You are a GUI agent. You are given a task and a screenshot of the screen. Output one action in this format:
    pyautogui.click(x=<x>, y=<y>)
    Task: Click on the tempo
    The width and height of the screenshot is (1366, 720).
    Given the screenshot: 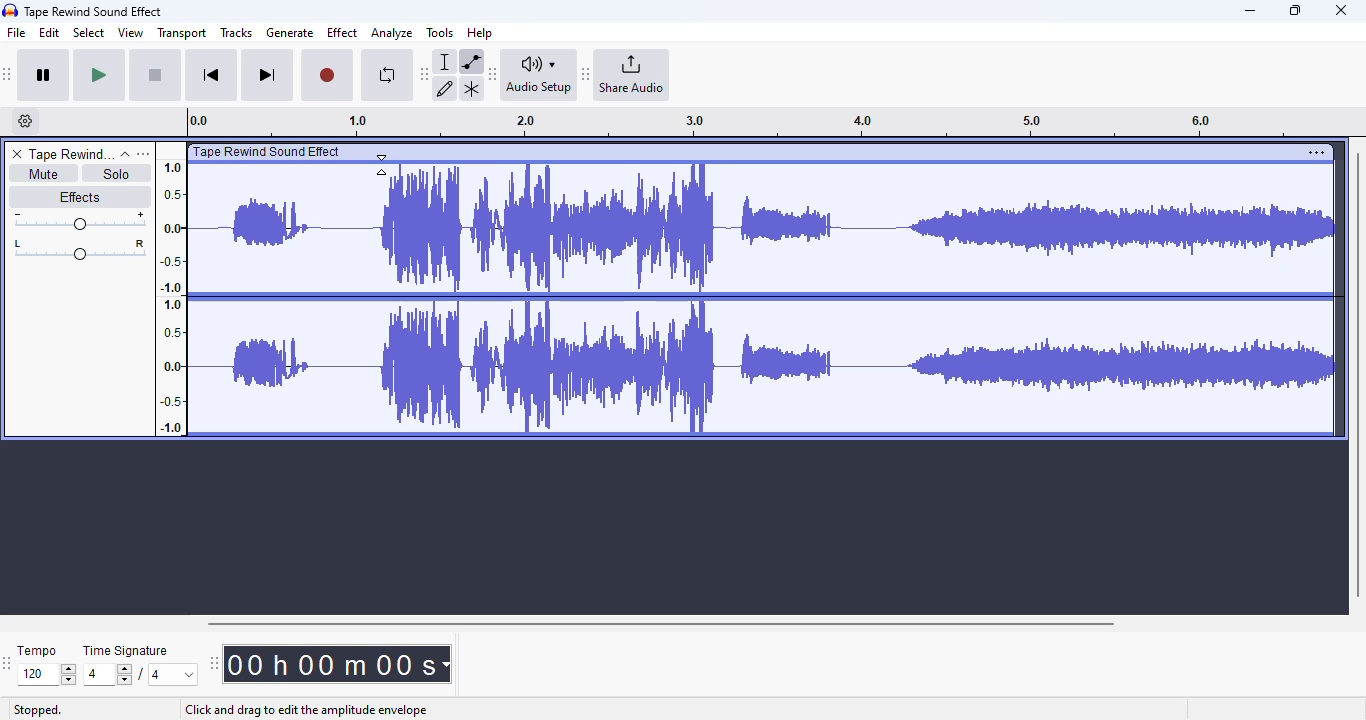 What is the action you would take?
    pyautogui.click(x=37, y=650)
    